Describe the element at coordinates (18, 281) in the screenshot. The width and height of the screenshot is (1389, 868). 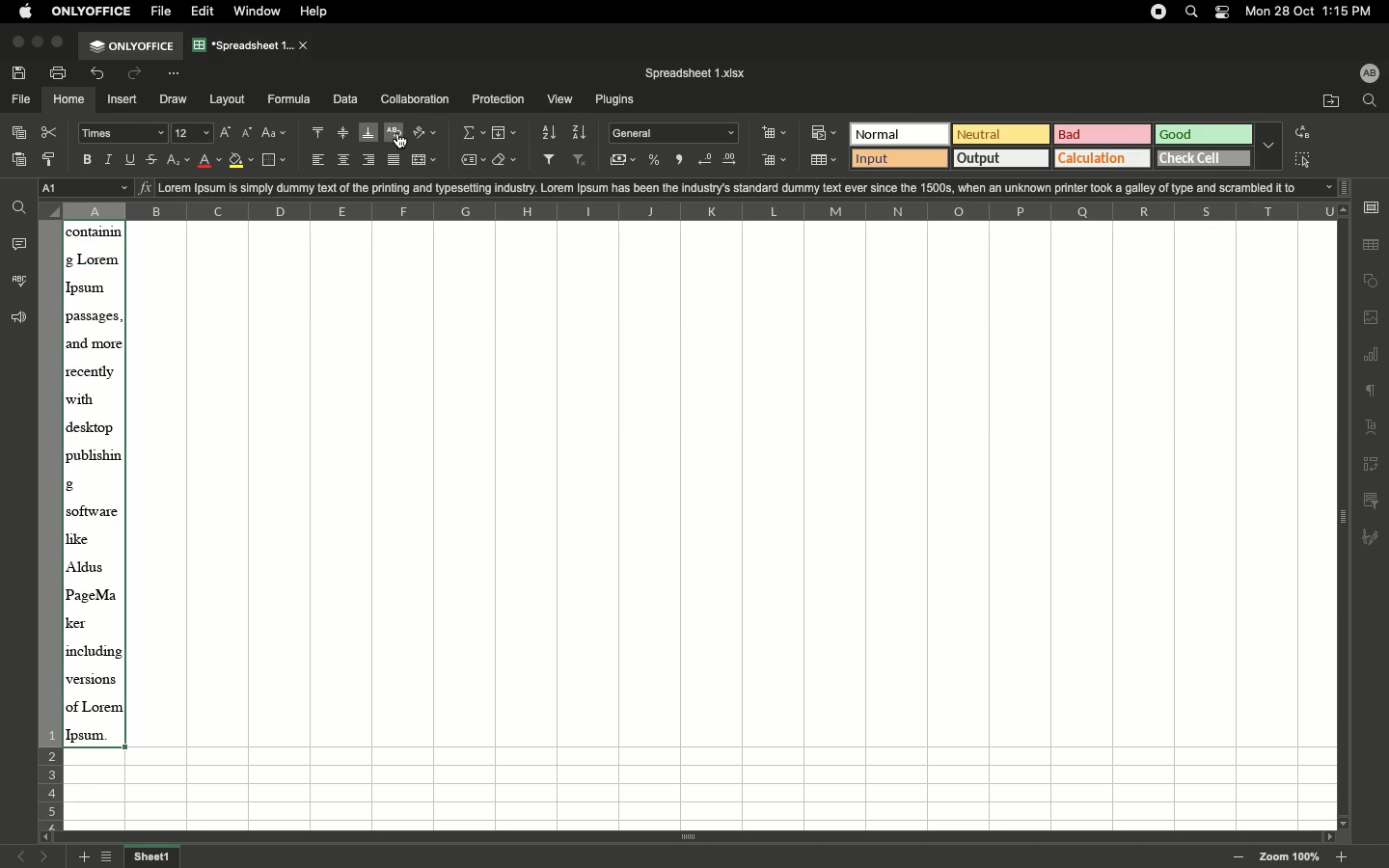
I see `Spell checking` at that location.